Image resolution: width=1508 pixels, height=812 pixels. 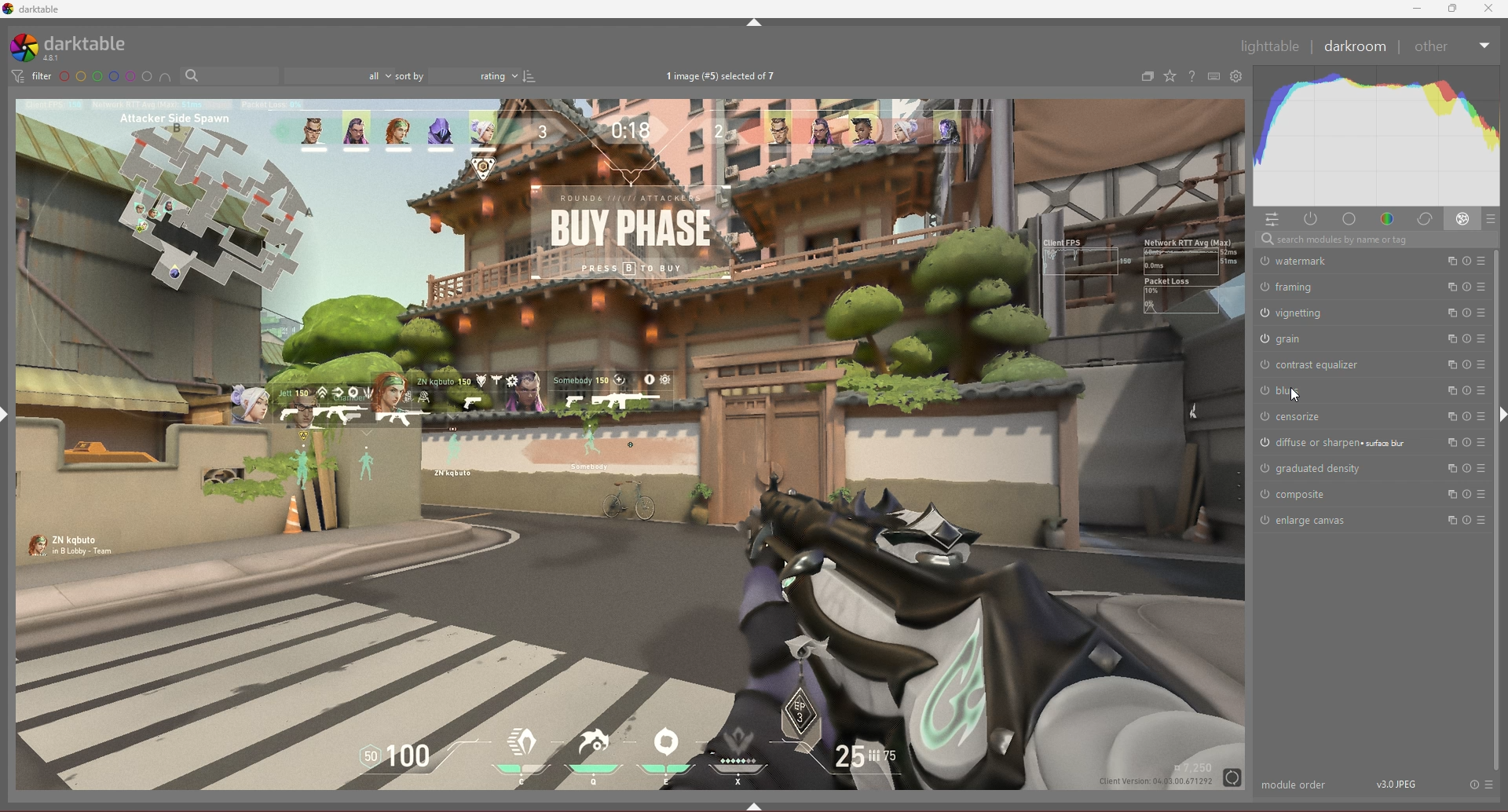 What do you see at coordinates (1466, 390) in the screenshot?
I see `reset` at bounding box center [1466, 390].